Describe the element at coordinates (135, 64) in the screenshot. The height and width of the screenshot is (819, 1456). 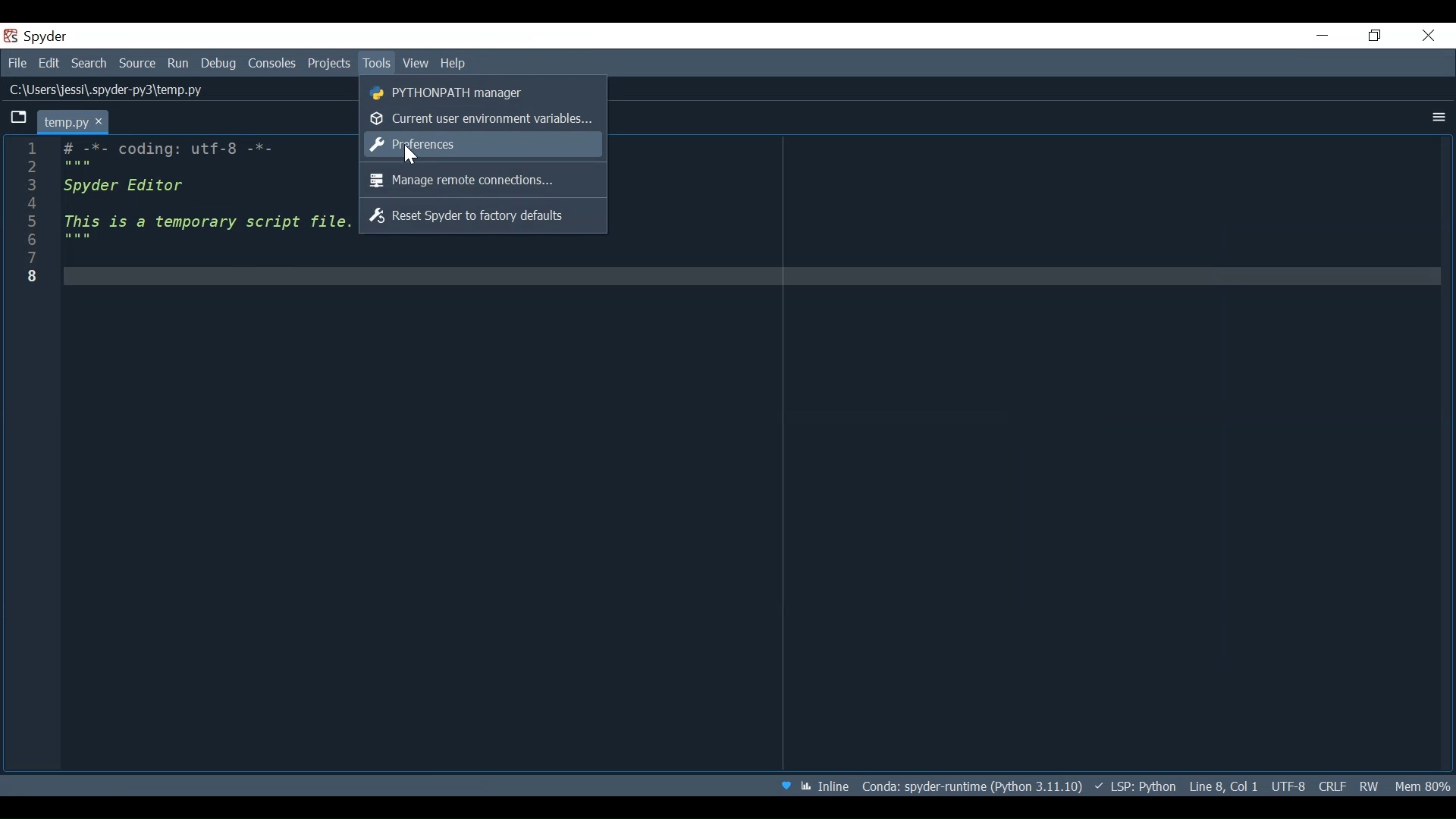
I see `Source` at that location.